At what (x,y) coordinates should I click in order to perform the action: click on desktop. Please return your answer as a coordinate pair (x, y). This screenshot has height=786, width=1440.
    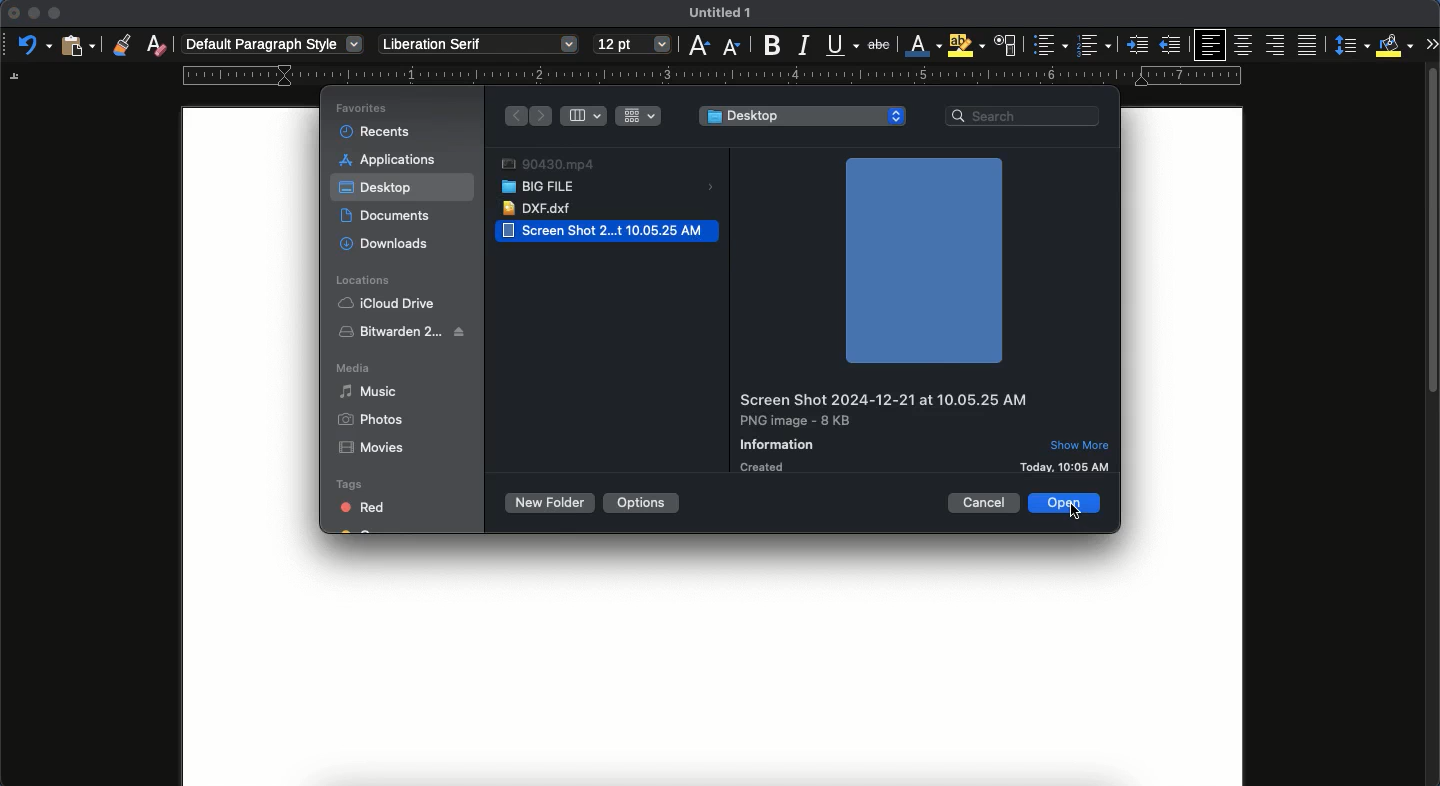
    Looking at the image, I should click on (803, 116).